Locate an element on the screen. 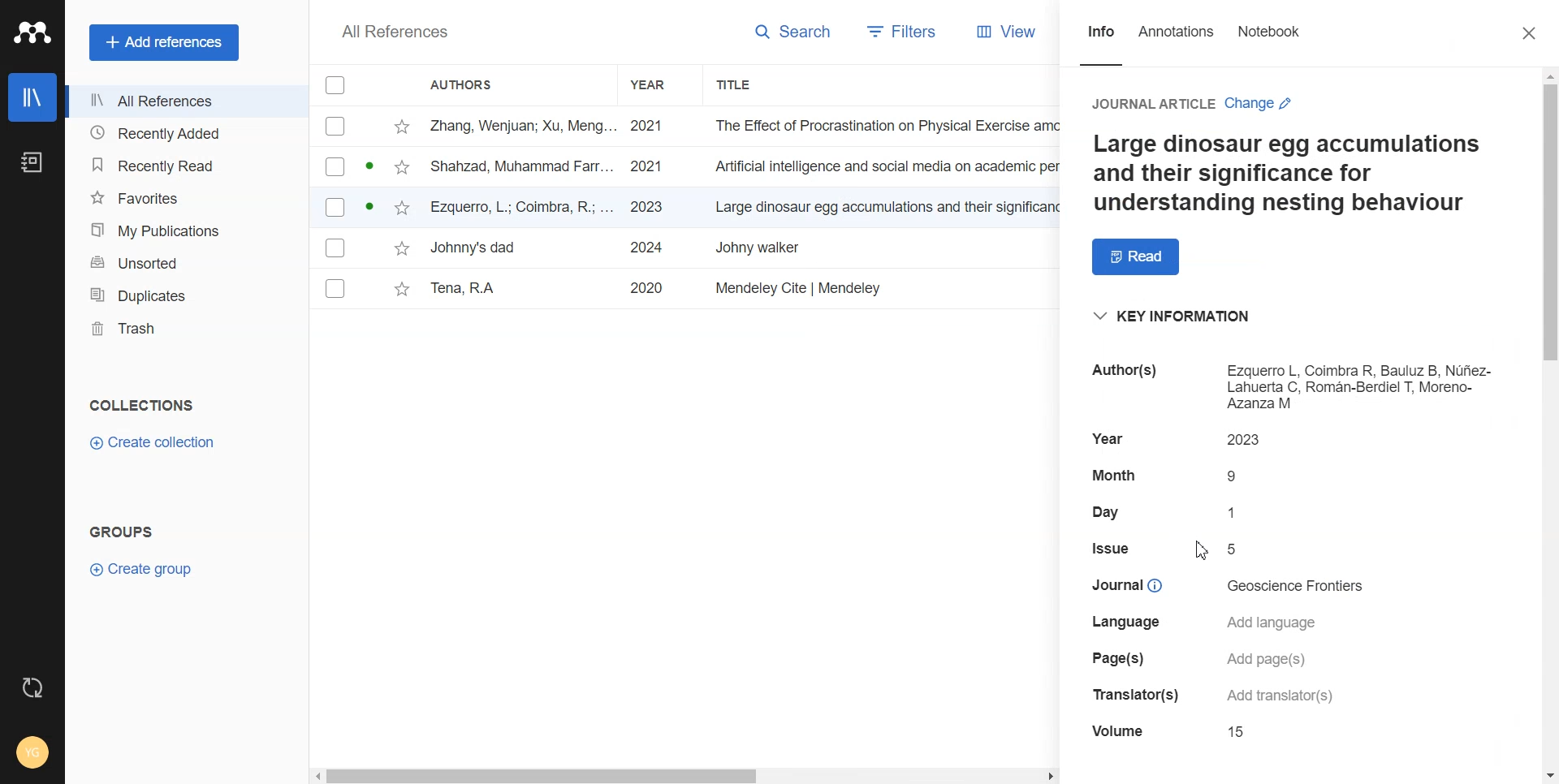 The width and height of the screenshot is (1559, 784). Journal is located at coordinates (1151, 103).